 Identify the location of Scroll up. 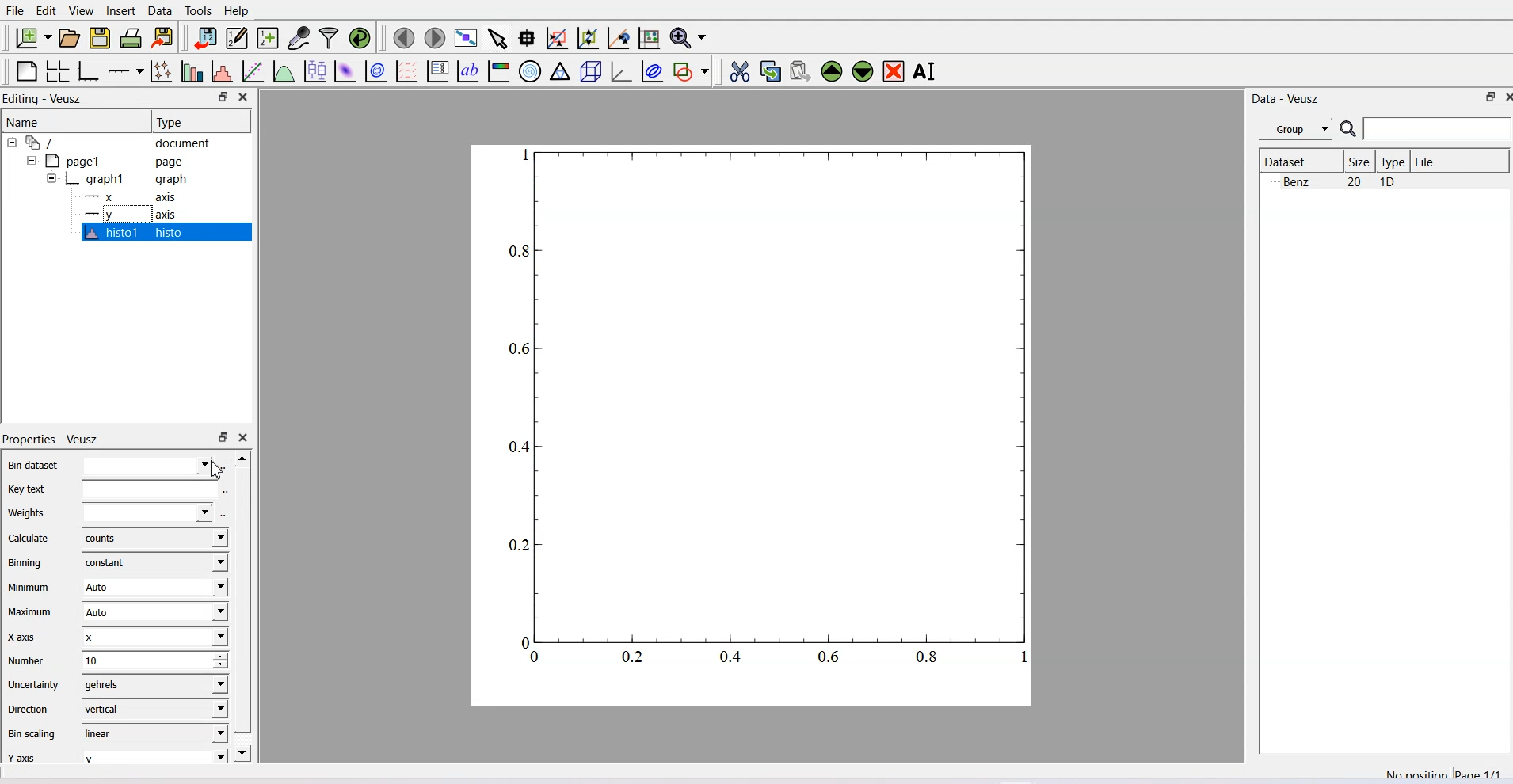
(242, 458).